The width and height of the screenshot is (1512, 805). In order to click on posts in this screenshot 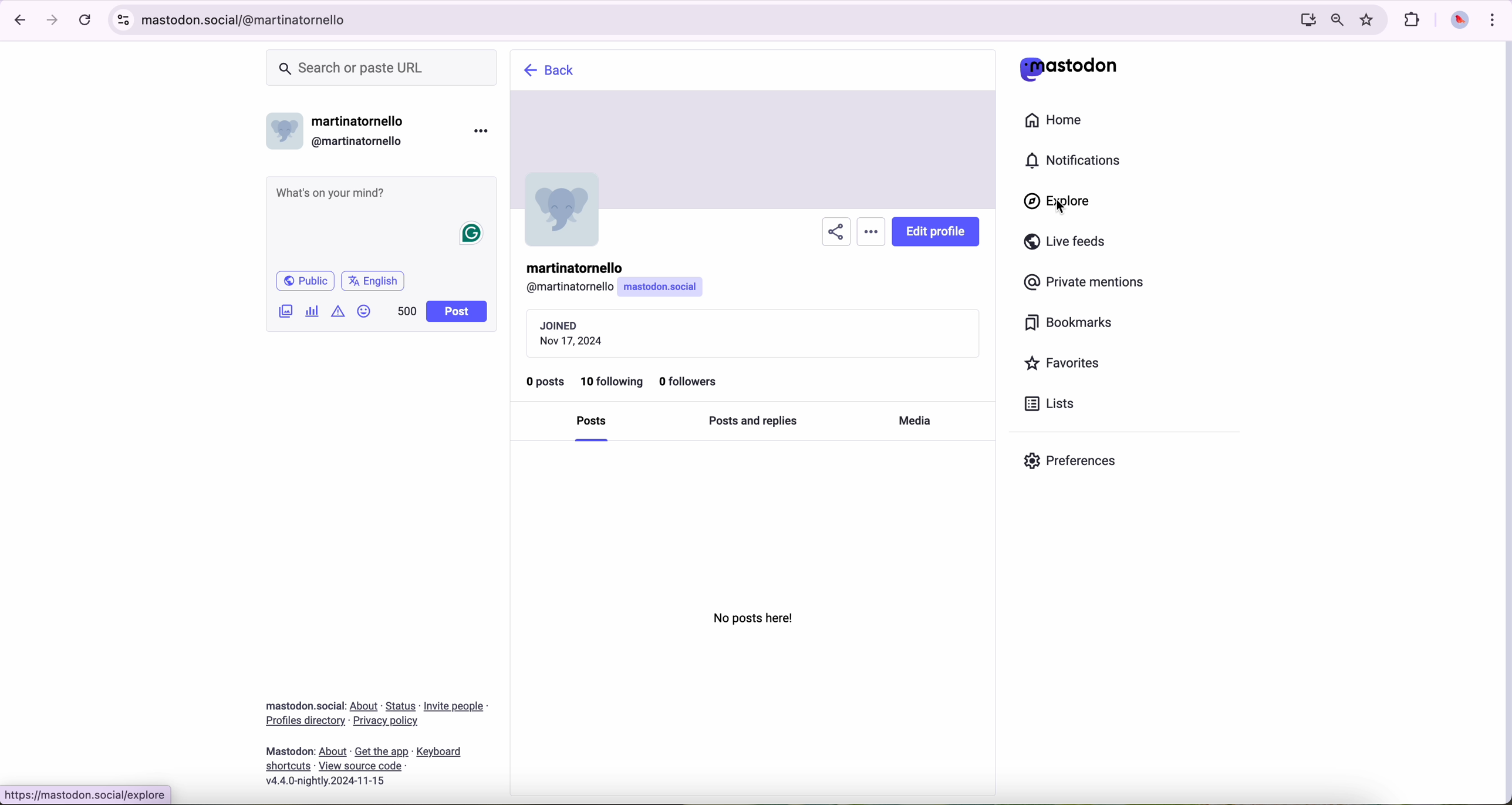, I will do `click(587, 426)`.